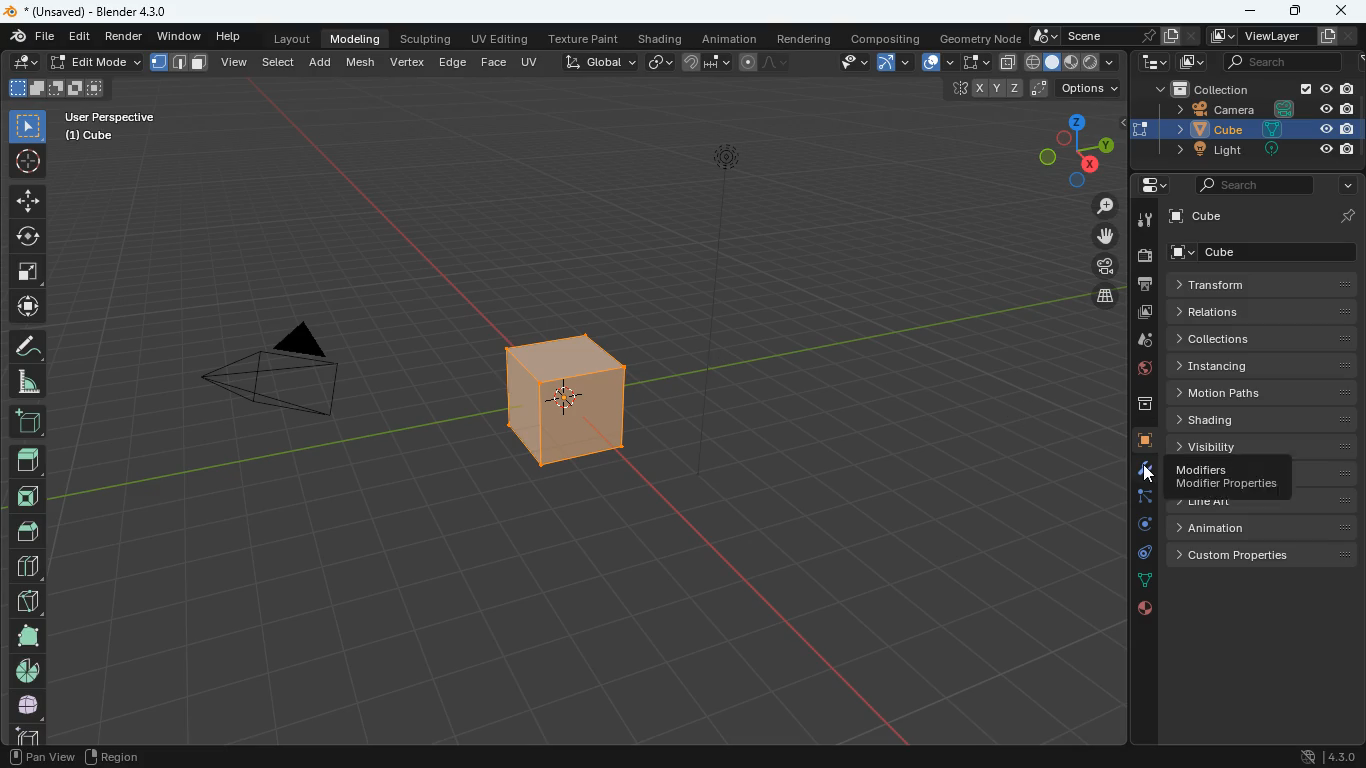  I want to click on cube, so click(1141, 442).